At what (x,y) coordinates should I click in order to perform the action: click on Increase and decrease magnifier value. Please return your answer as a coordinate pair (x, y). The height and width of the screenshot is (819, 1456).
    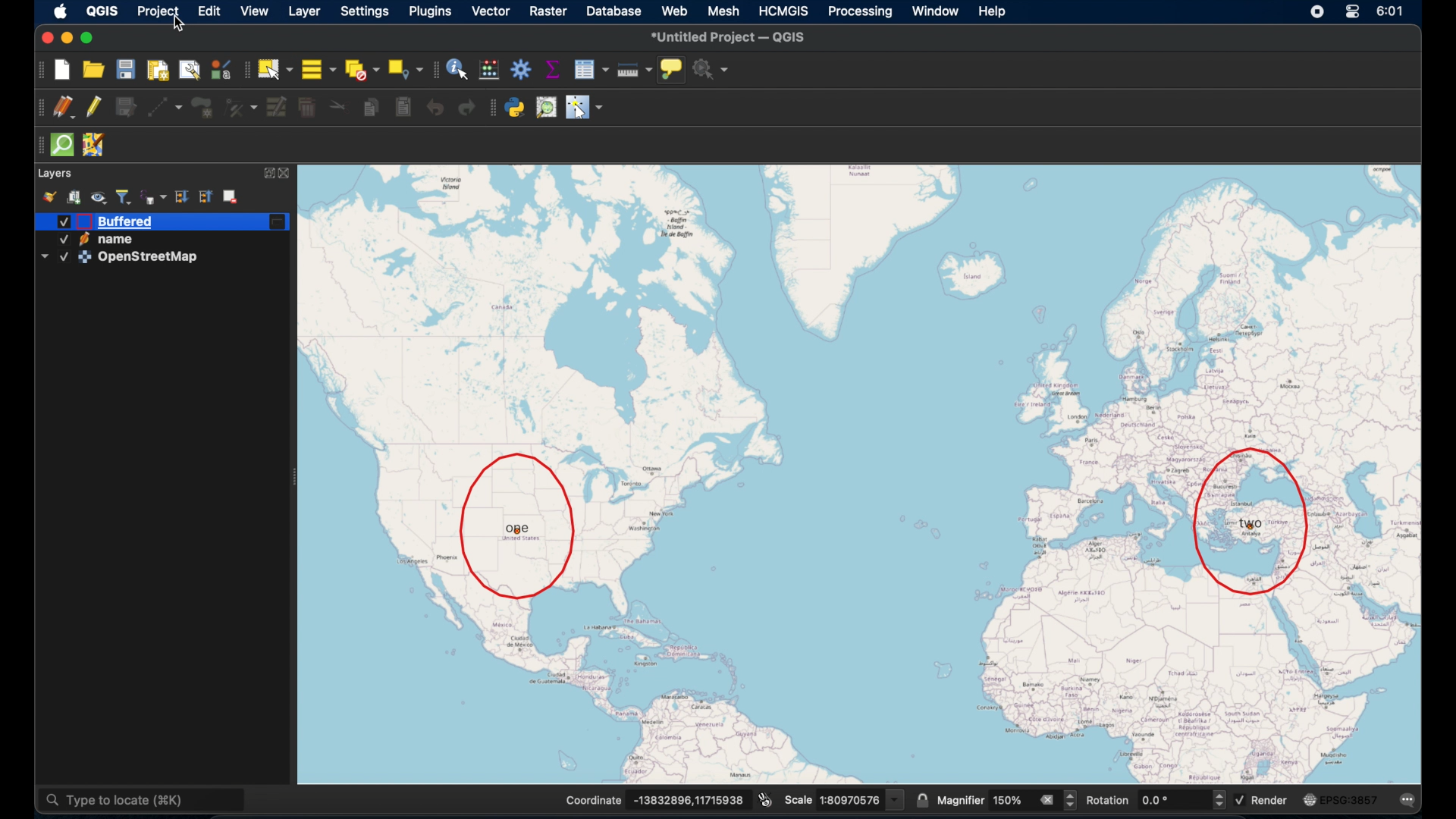
    Looking at the image, I should click on (1071, 800).